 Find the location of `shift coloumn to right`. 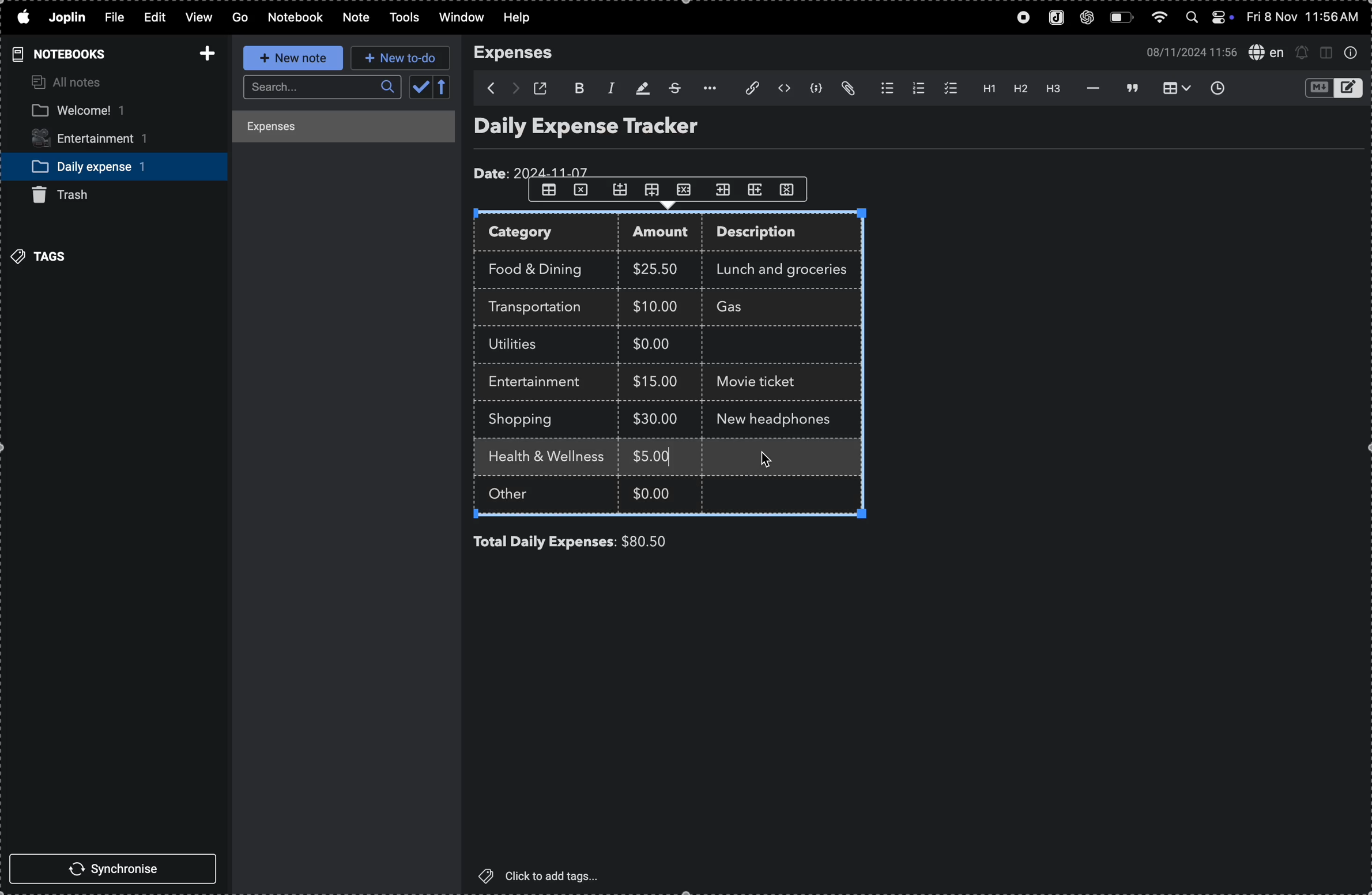

shift coloumn to right is located at coordinates (723, 189).